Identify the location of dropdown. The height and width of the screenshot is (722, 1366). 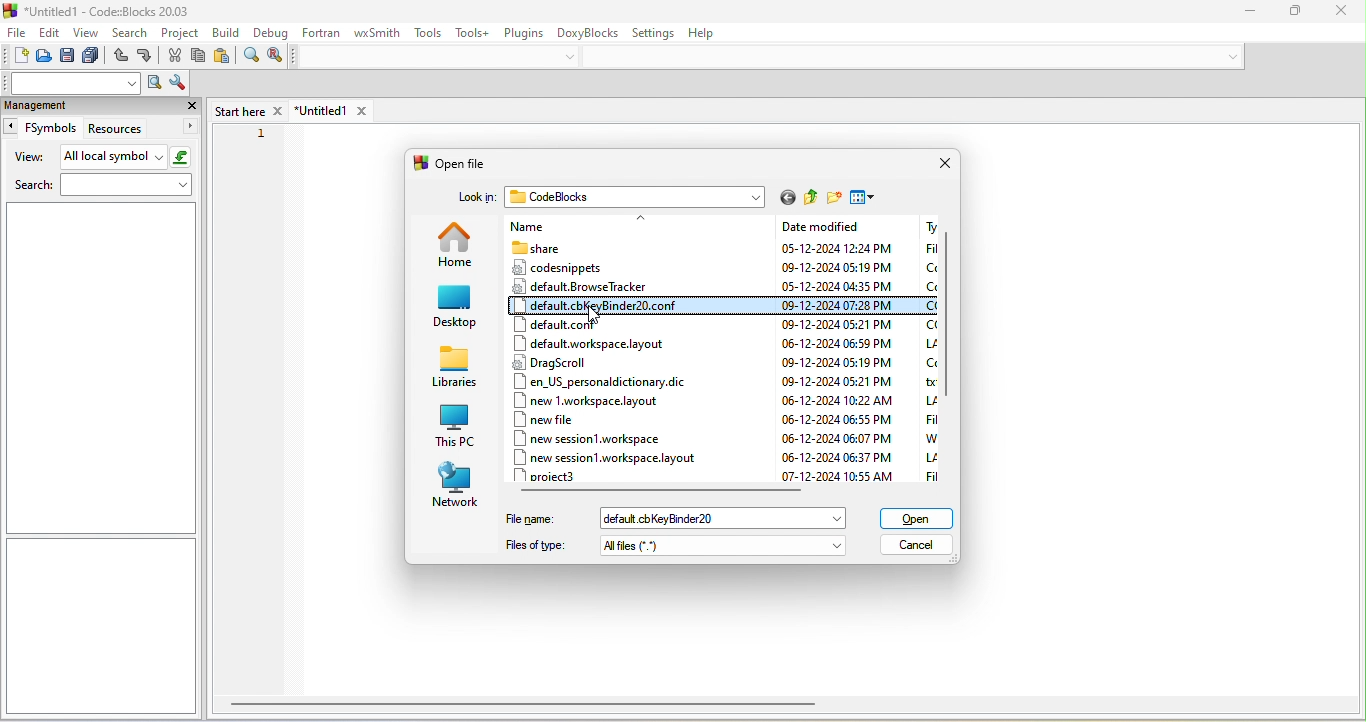
(840, 545).